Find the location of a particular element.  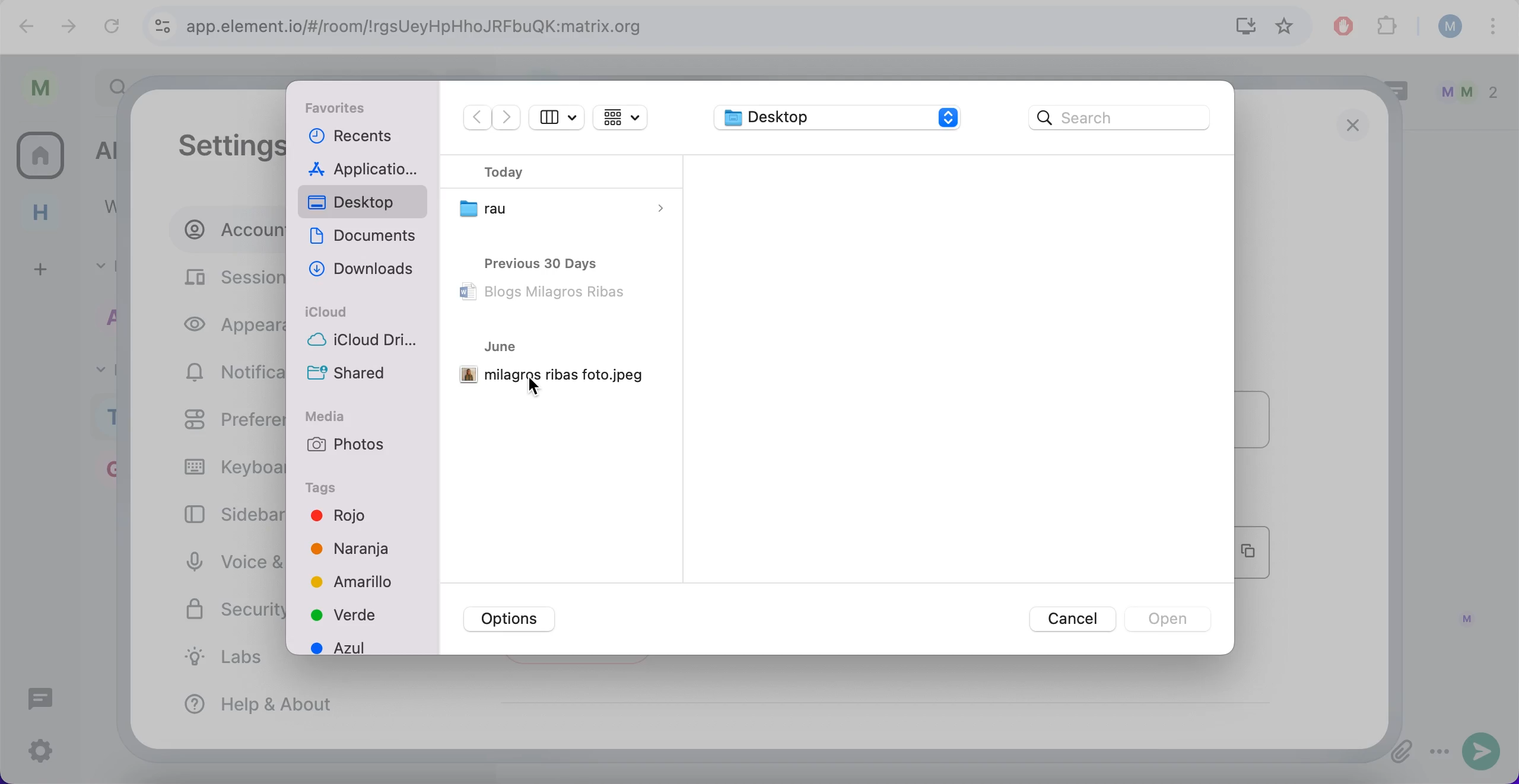

keyboard is located at coordinates (225, 466).